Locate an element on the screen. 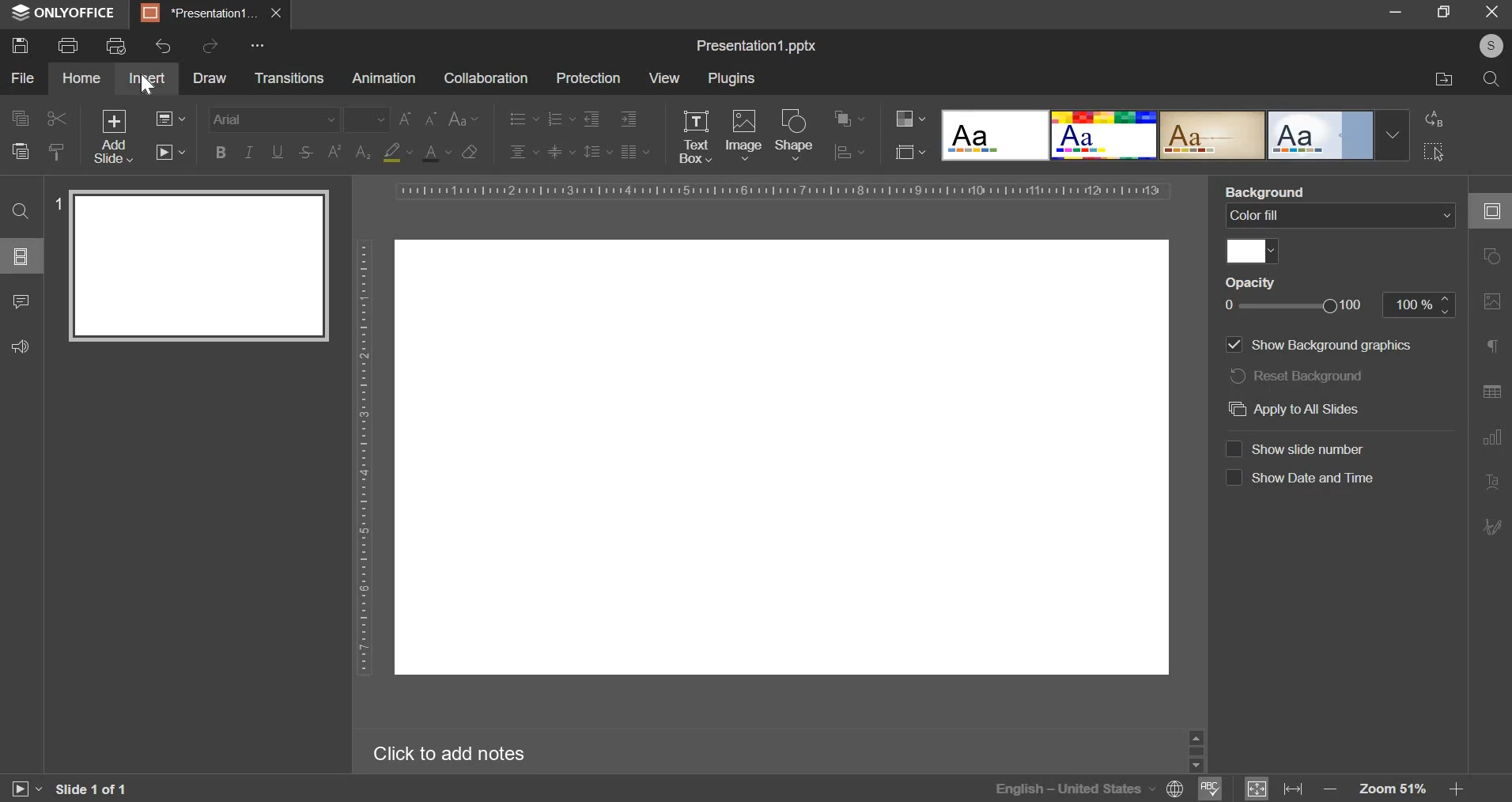 This screenshot has height=802, width=1512. reset background is located at coordinates (1295, 375).